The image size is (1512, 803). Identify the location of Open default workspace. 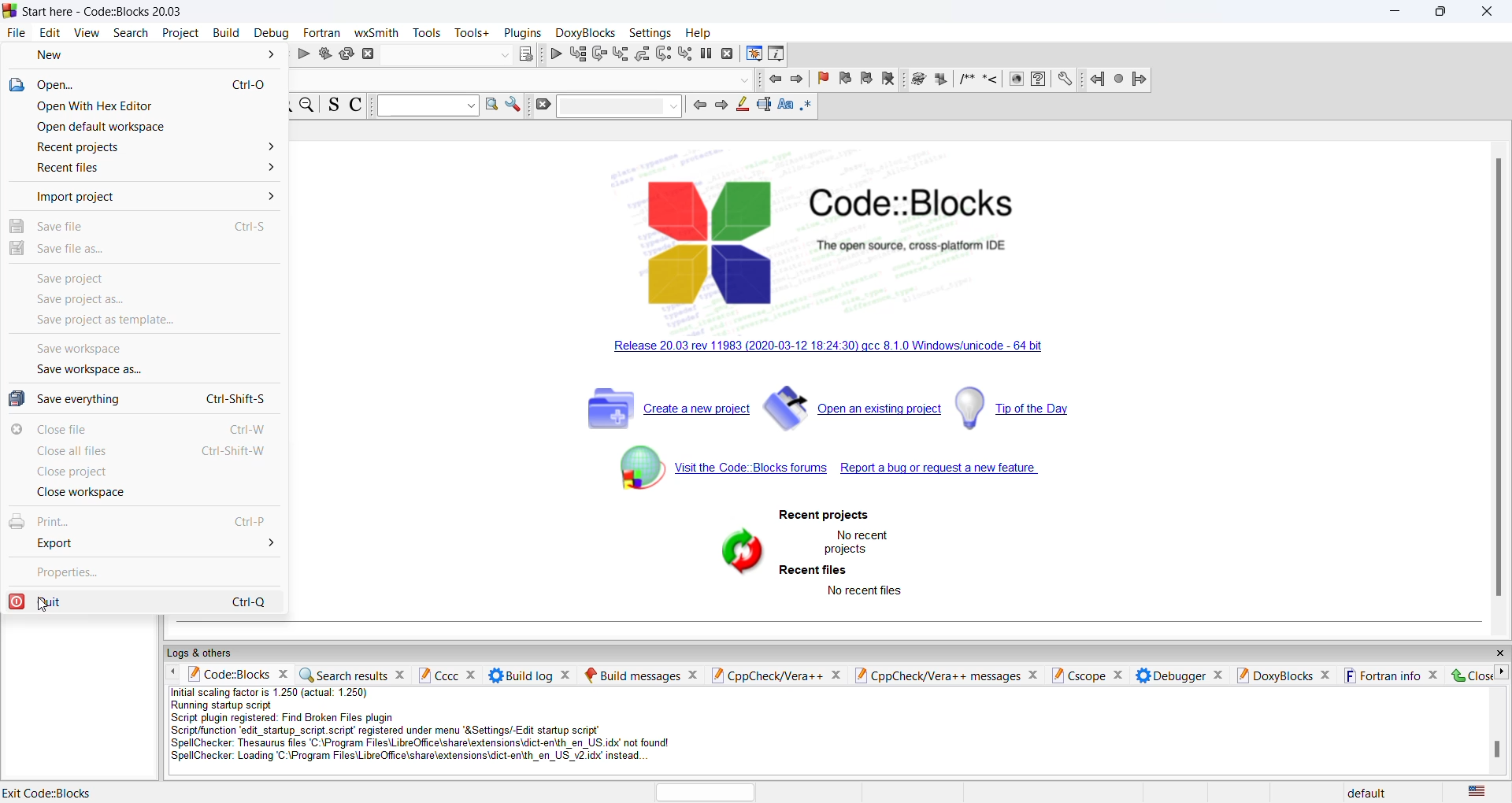
(113, 126).